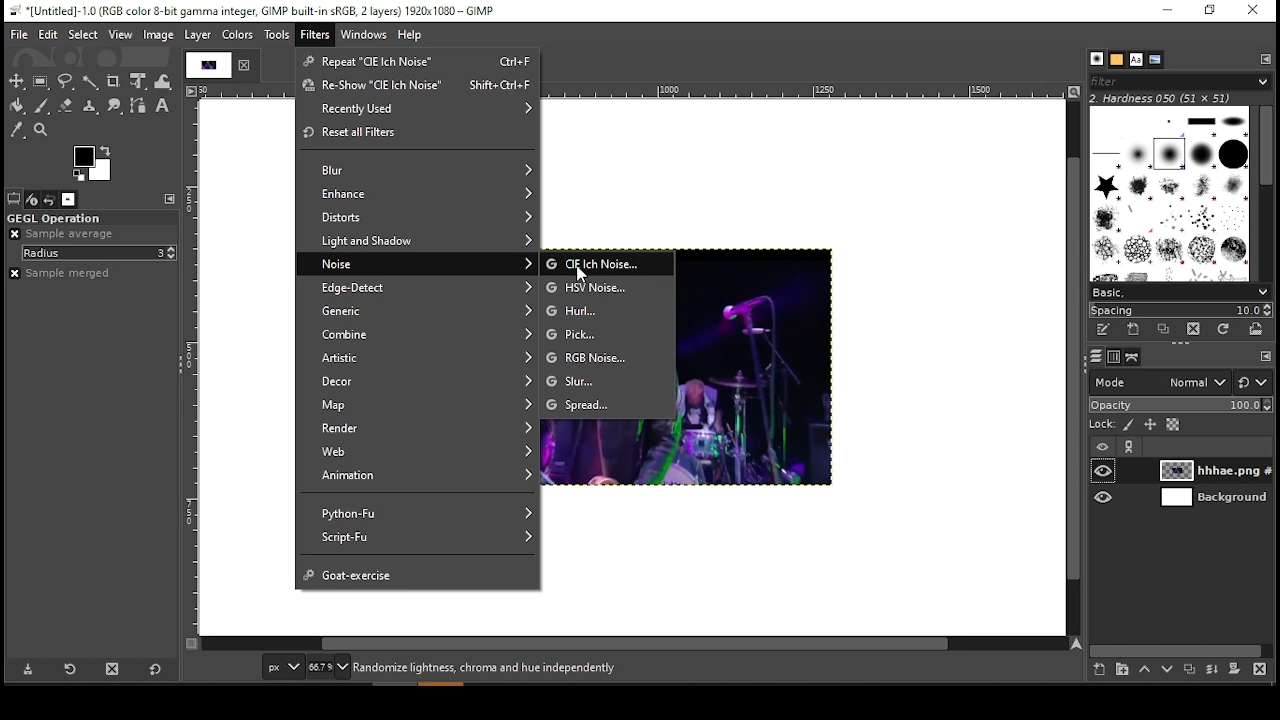  Describe the element at coordinates (1075, 369) in the screenshot. I see `vertical scroll bar` at that location.